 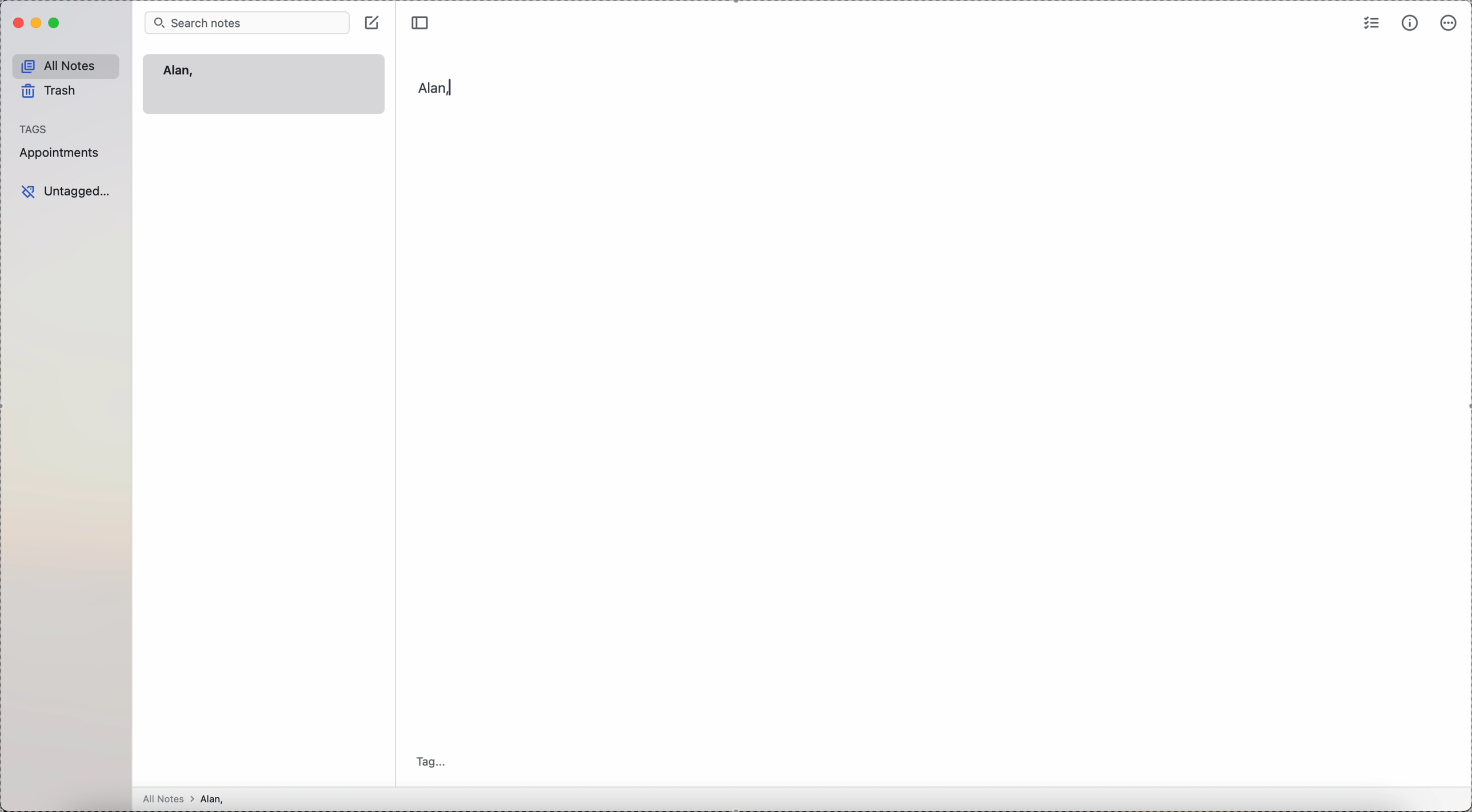 I want to click on minimize Simplenote, so click(x=38, y=23).